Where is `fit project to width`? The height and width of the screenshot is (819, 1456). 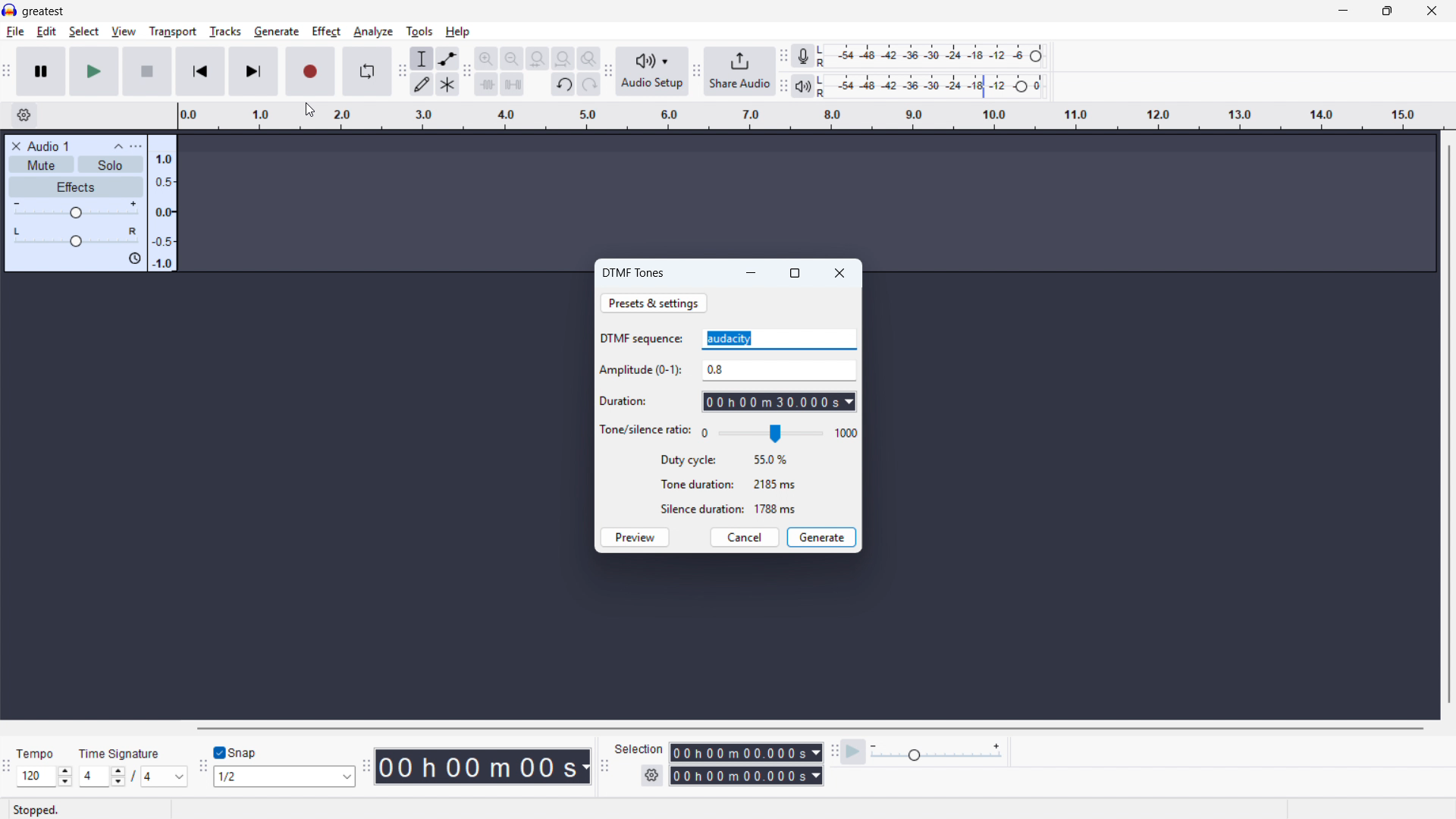
fit project to width is located at coordinates (563, 58).